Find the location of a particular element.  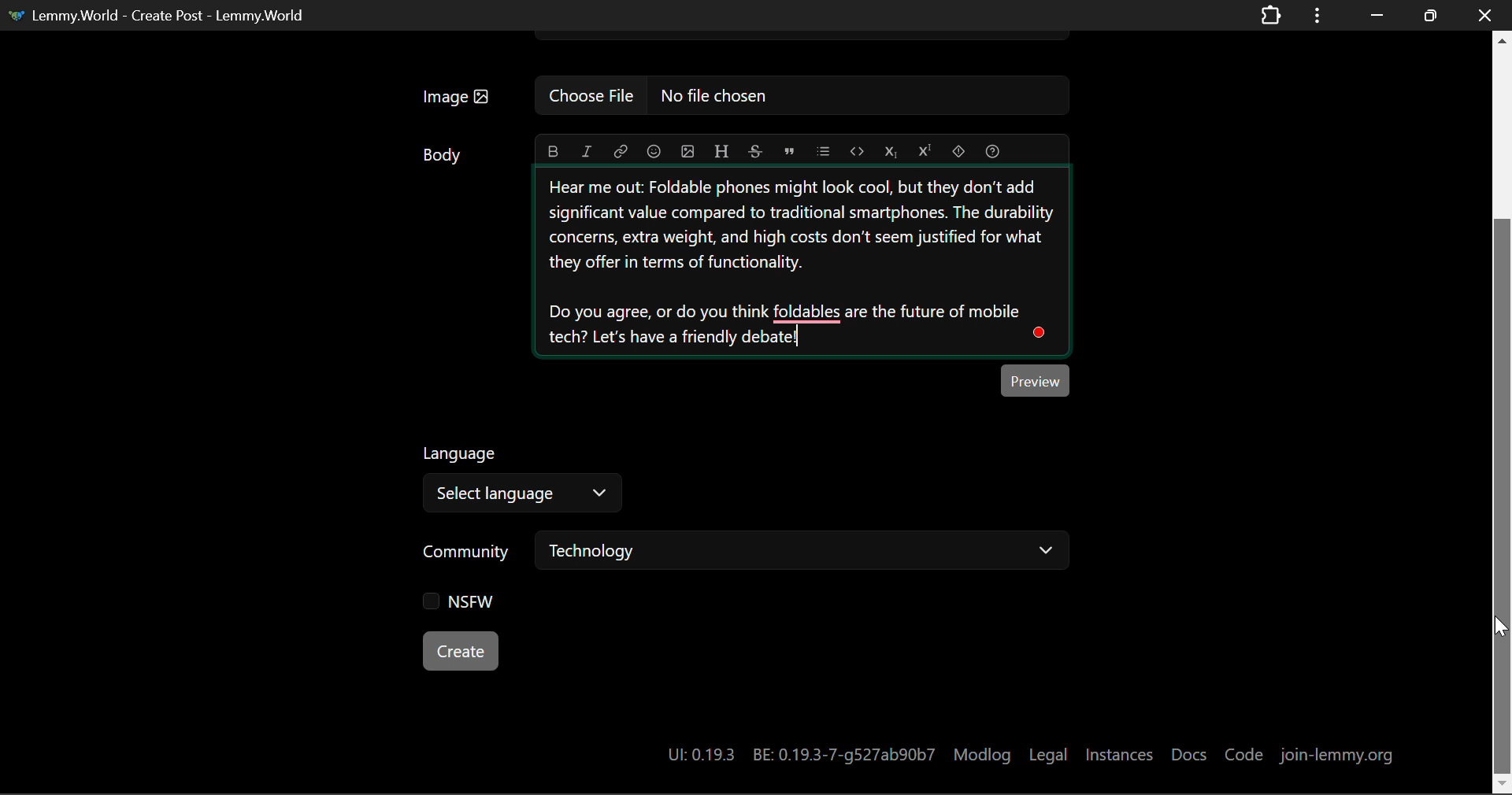

spoiler is located at coordinates (958, 152).